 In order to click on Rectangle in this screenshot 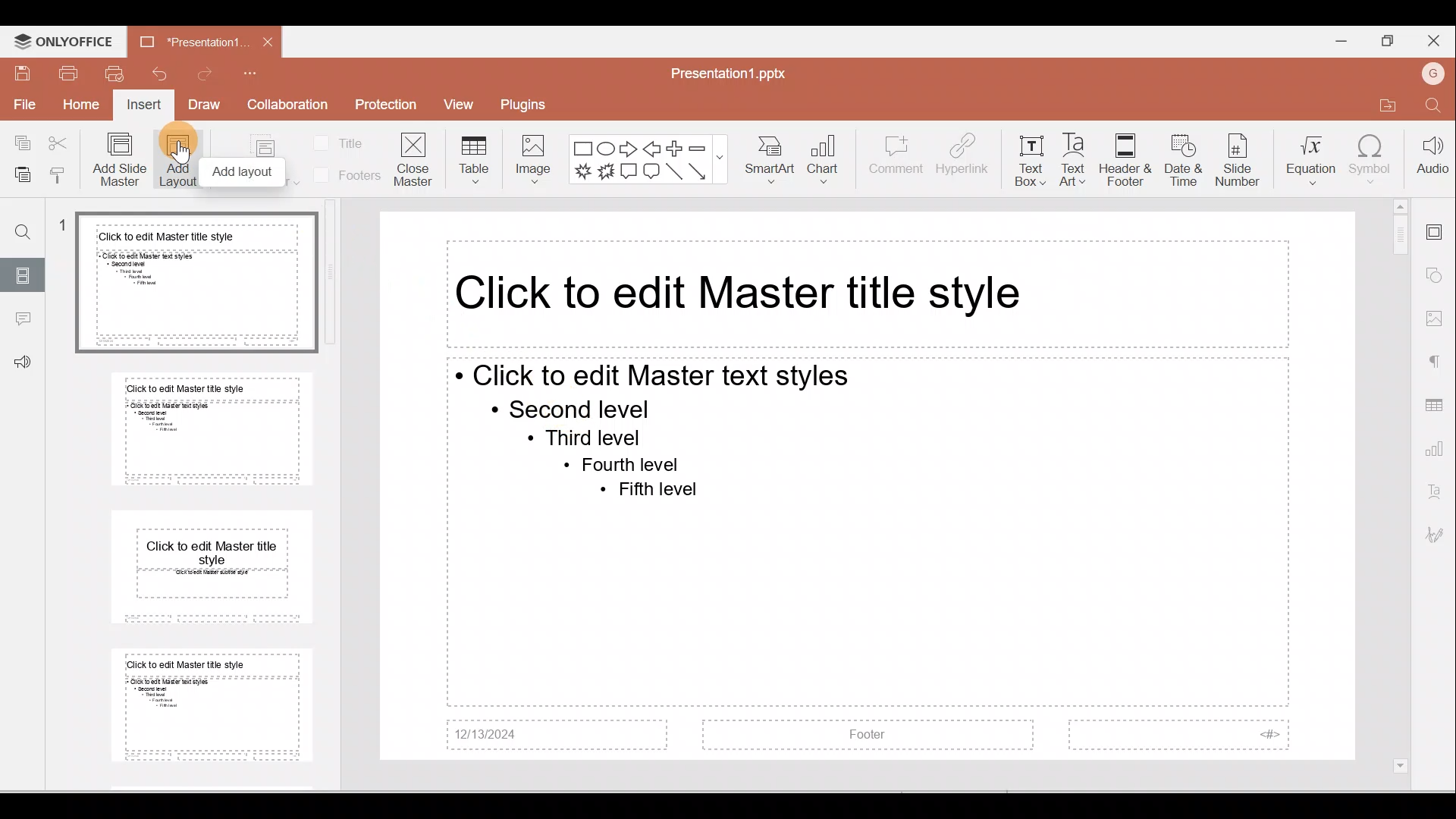, I will do `click(582, 147)`.